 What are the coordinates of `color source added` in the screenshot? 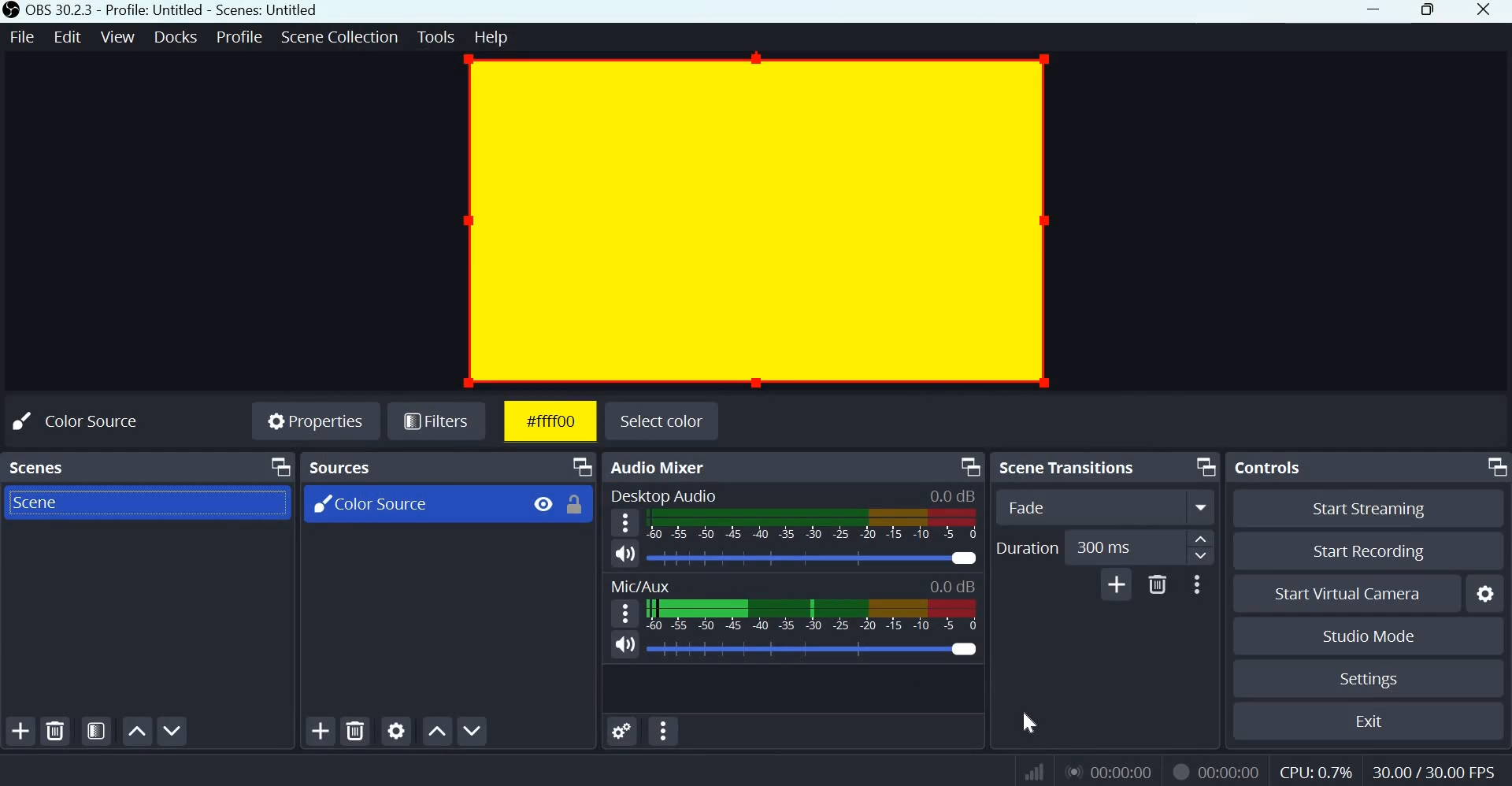 It's located at (755, 220).